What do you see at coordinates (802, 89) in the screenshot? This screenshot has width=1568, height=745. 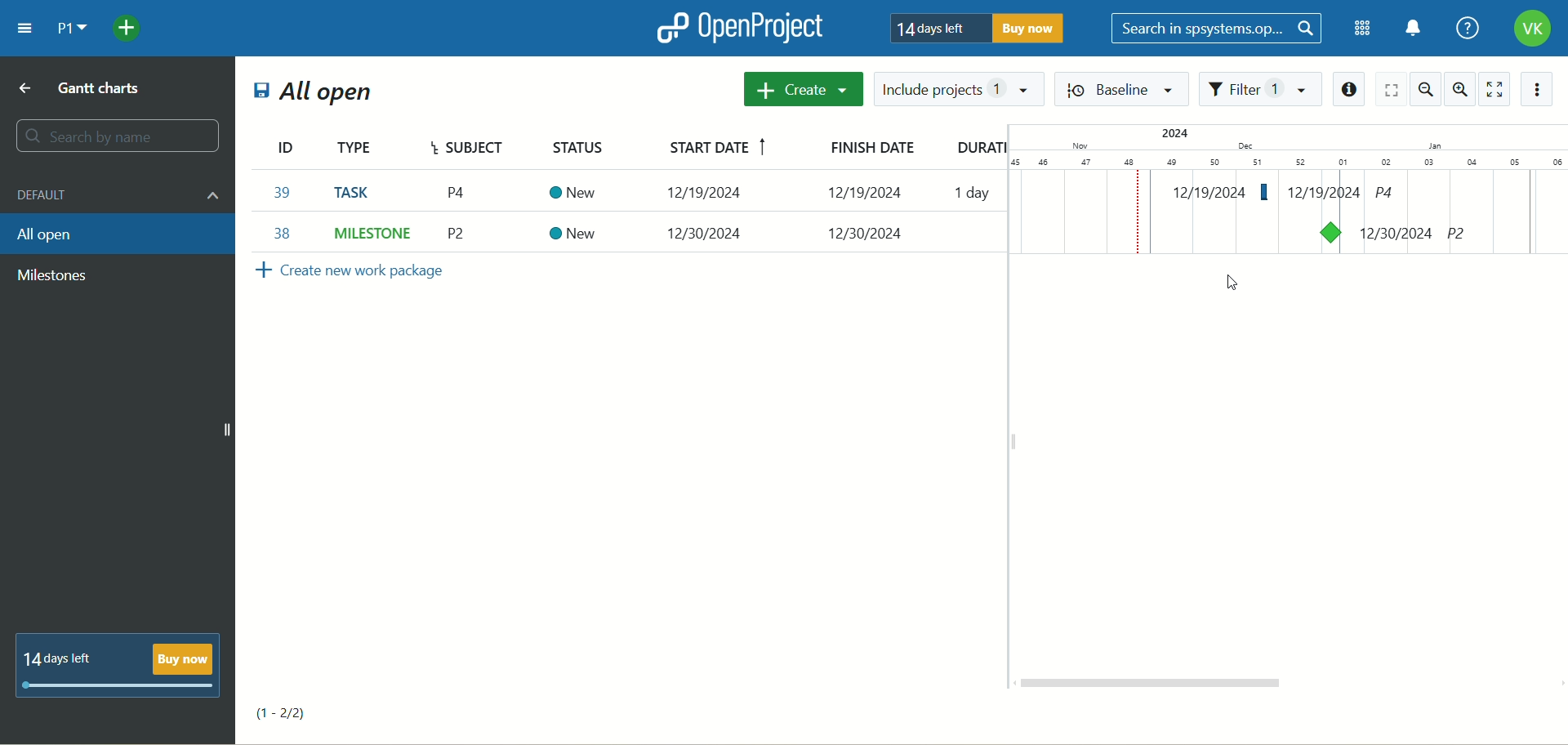 I see `create` at bounding box center [802, 89].